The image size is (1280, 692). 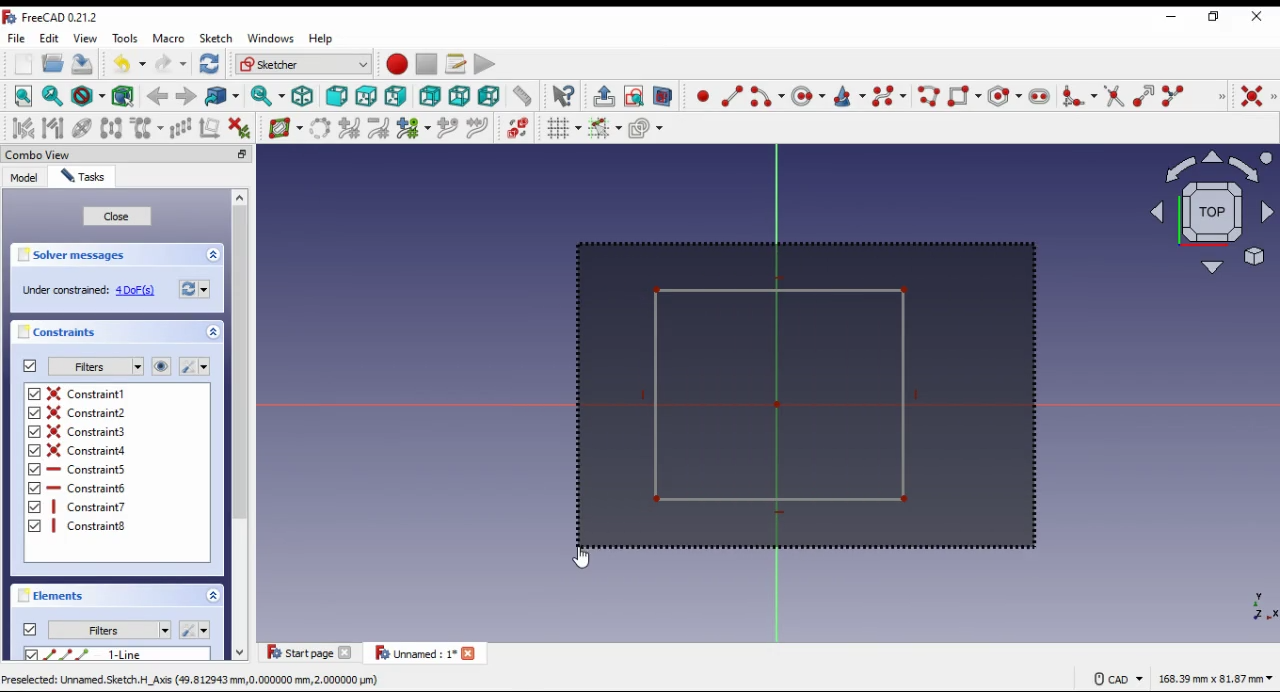 What do you see at coordinates (477, 128) in the screenshot?
I see `join curves` at bounding box center [477, 128].